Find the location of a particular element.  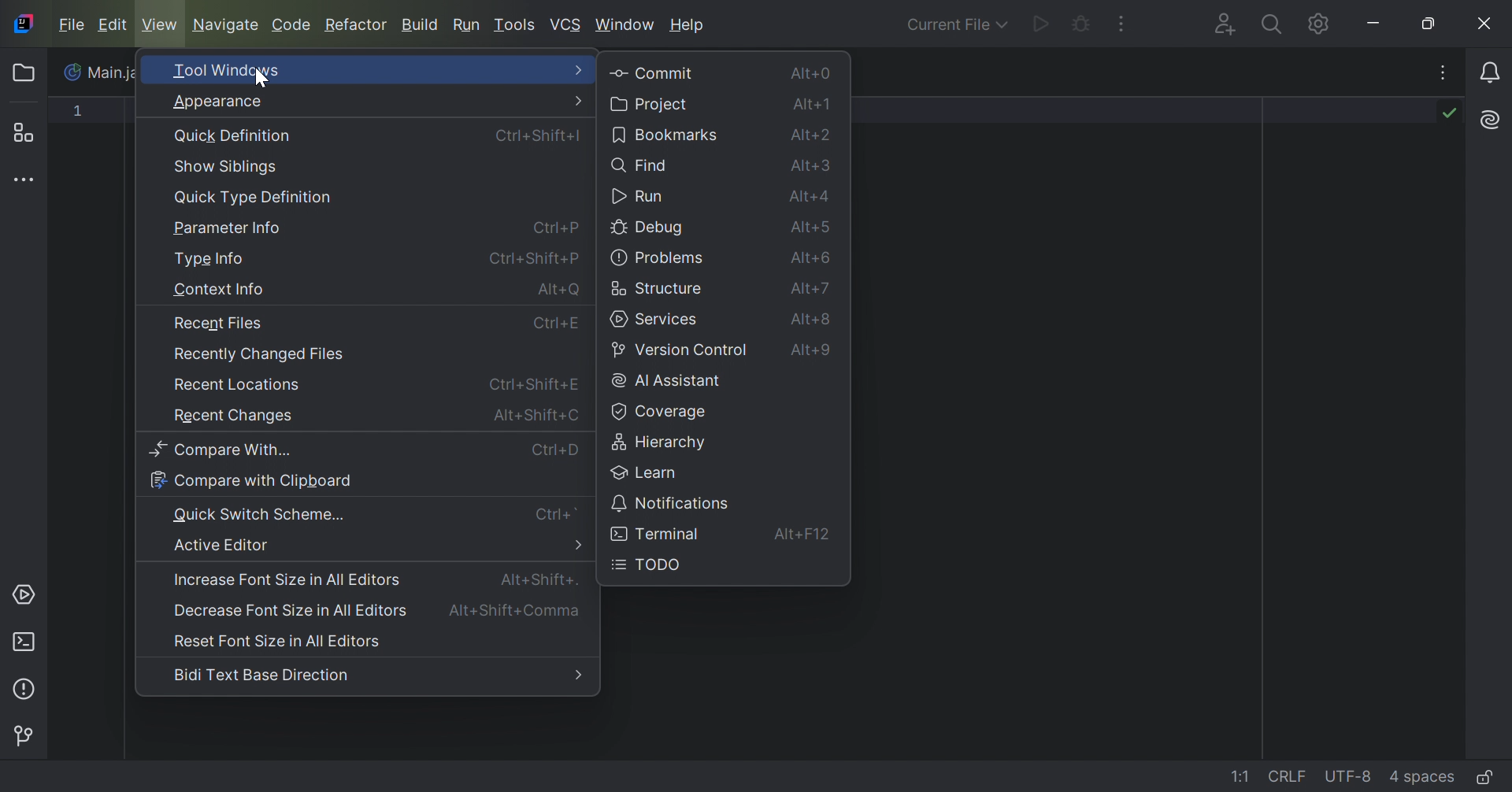

Ctrl+` is located at coordinates (558, 514).